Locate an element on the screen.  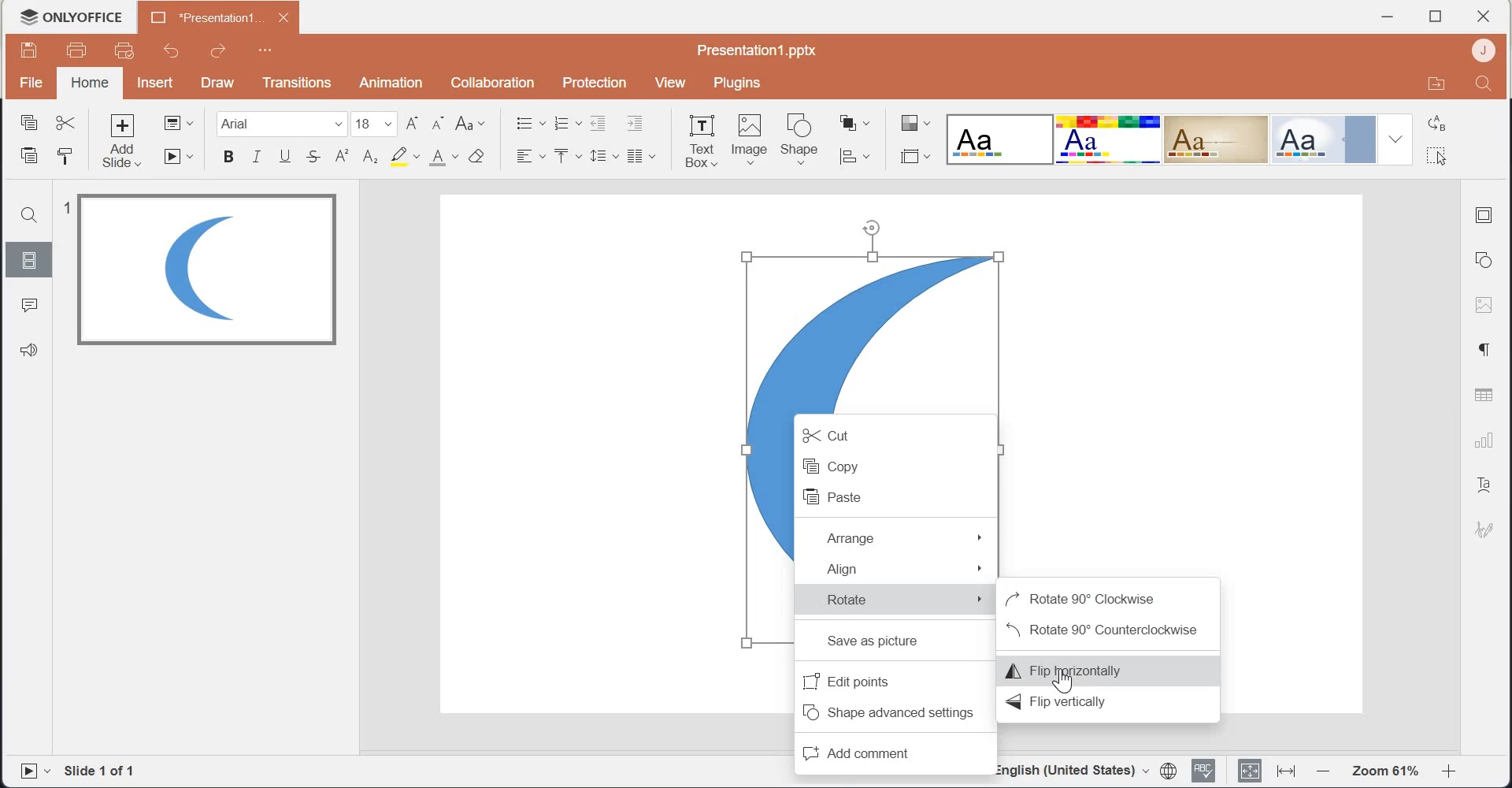
Basic is located at coordinates (1109, 139).